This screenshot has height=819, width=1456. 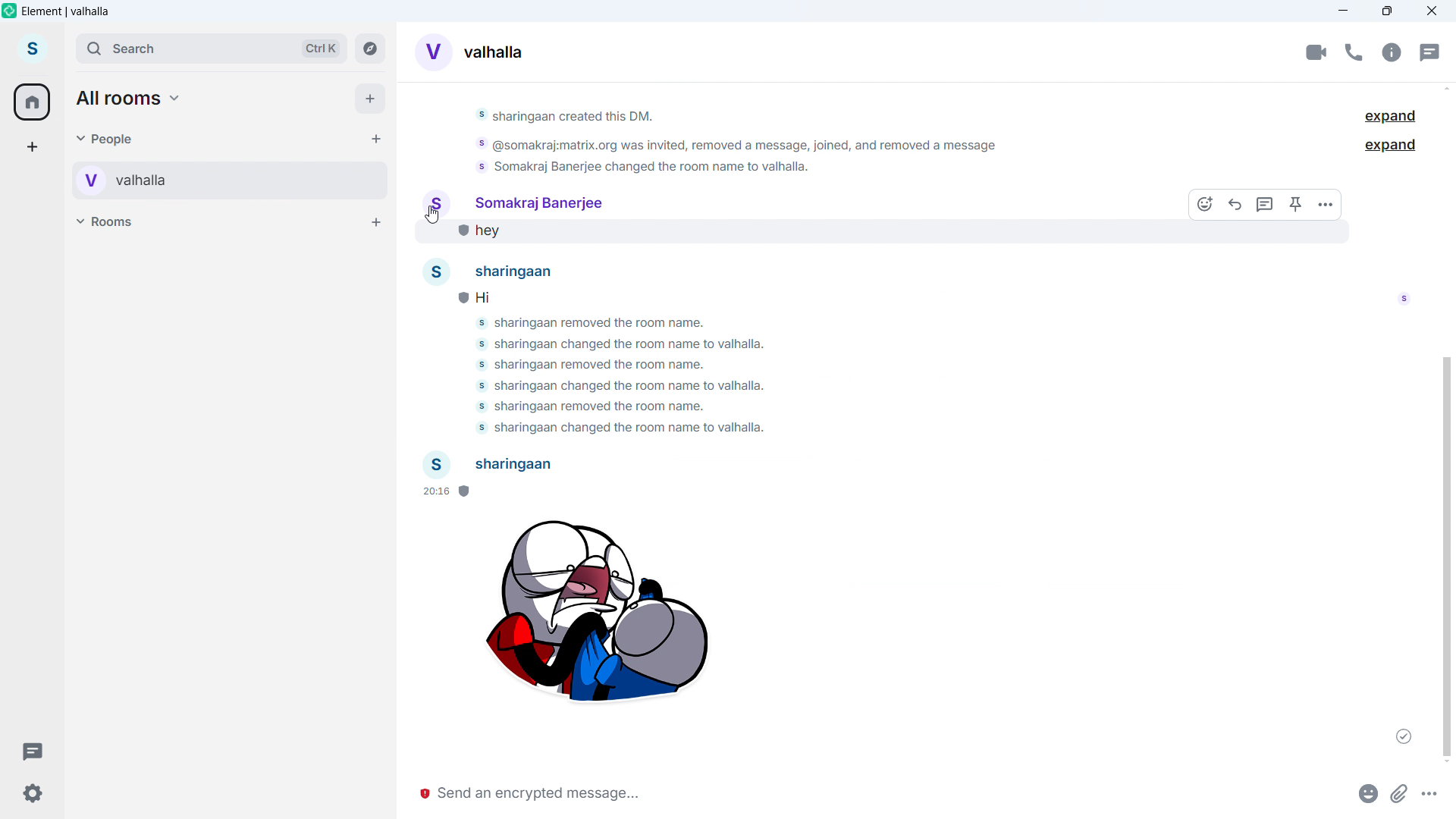 What do you see at coordinates (1208, 203) in the screenshot?
I see `react ` at bounding box center [1208, 203].